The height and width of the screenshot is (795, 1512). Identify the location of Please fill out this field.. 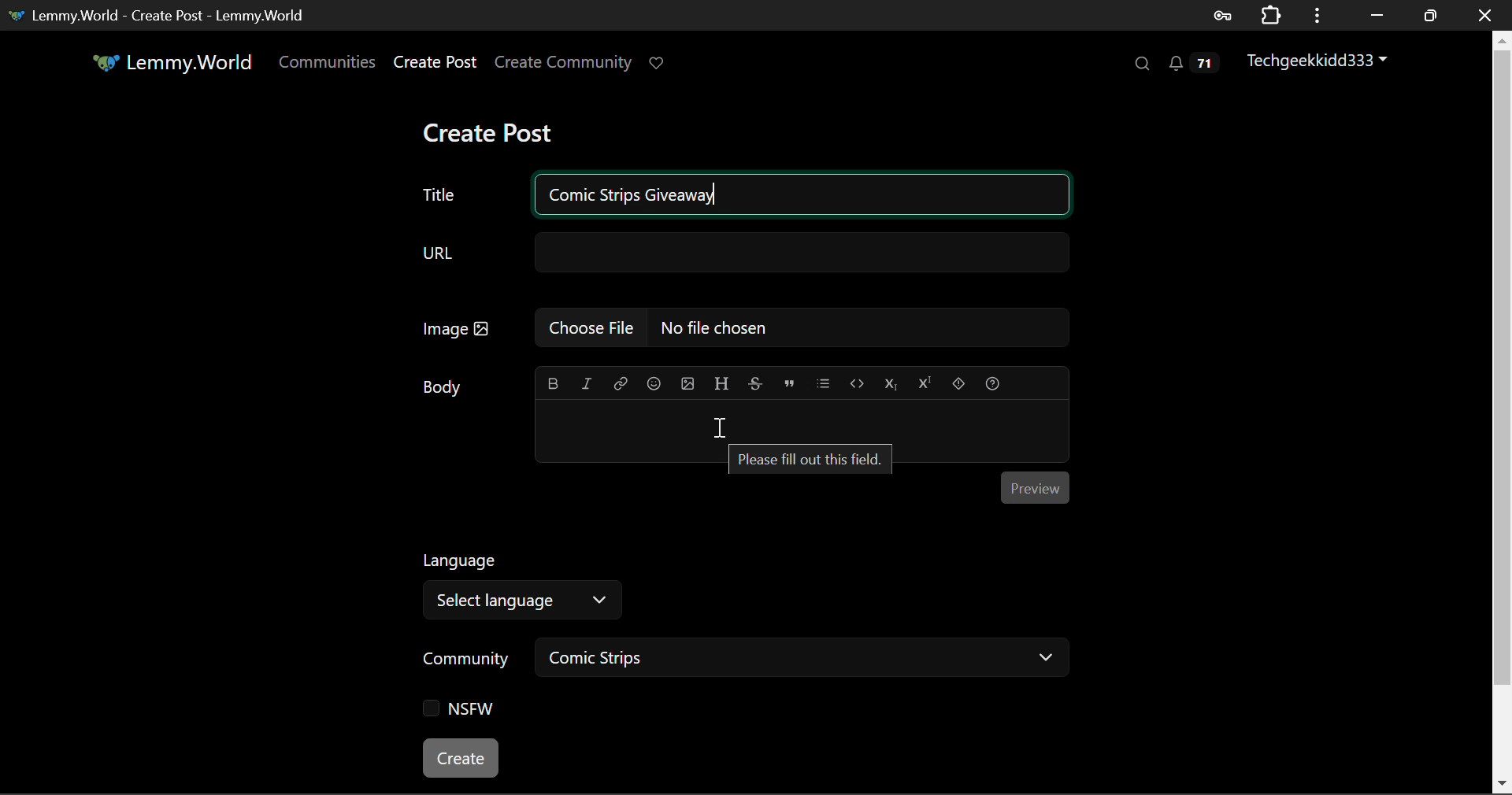
(811, 460).